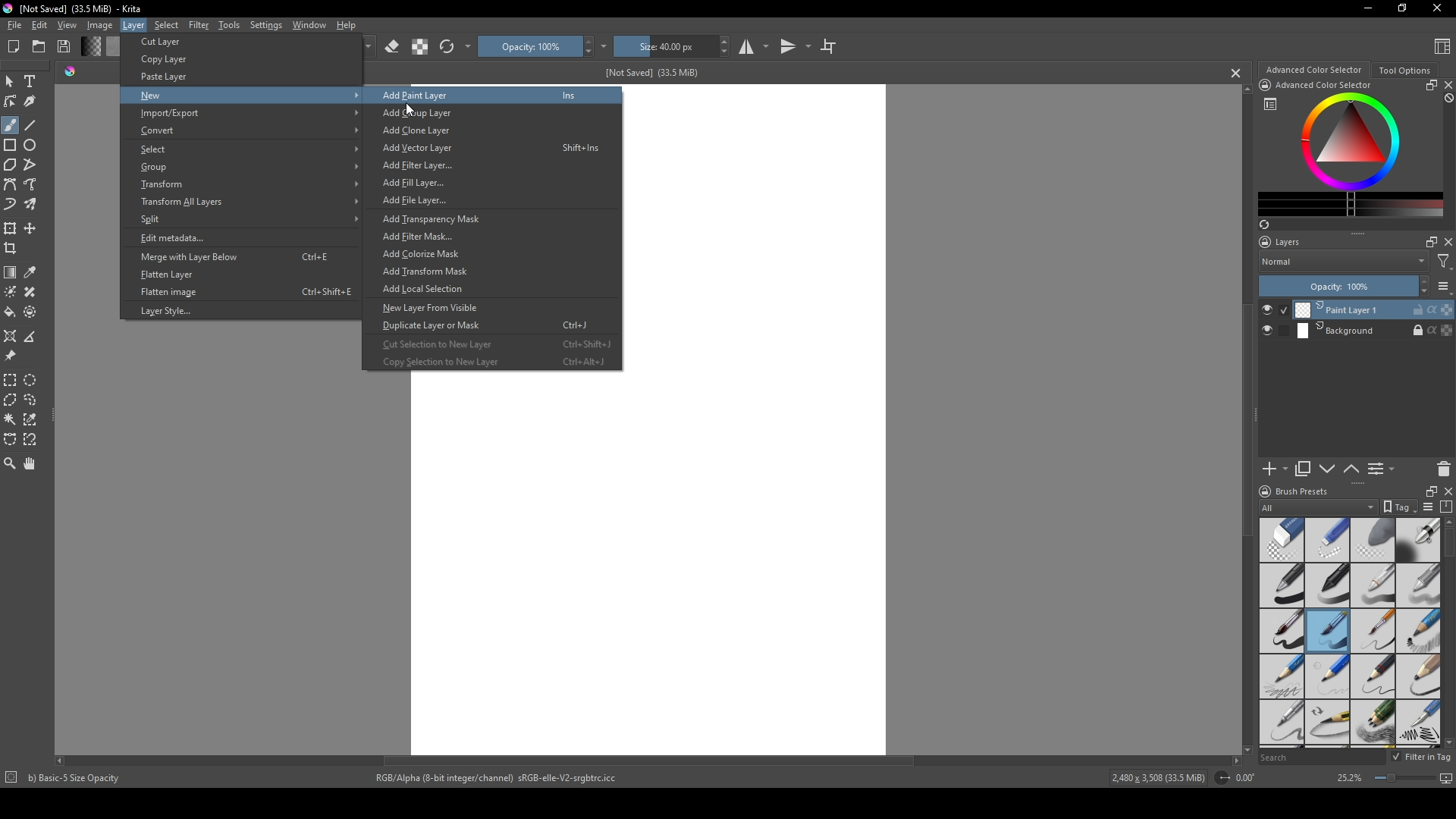  Describe the element at coordinates (1444, 469) in the screenshot. I see `delete` at that location.